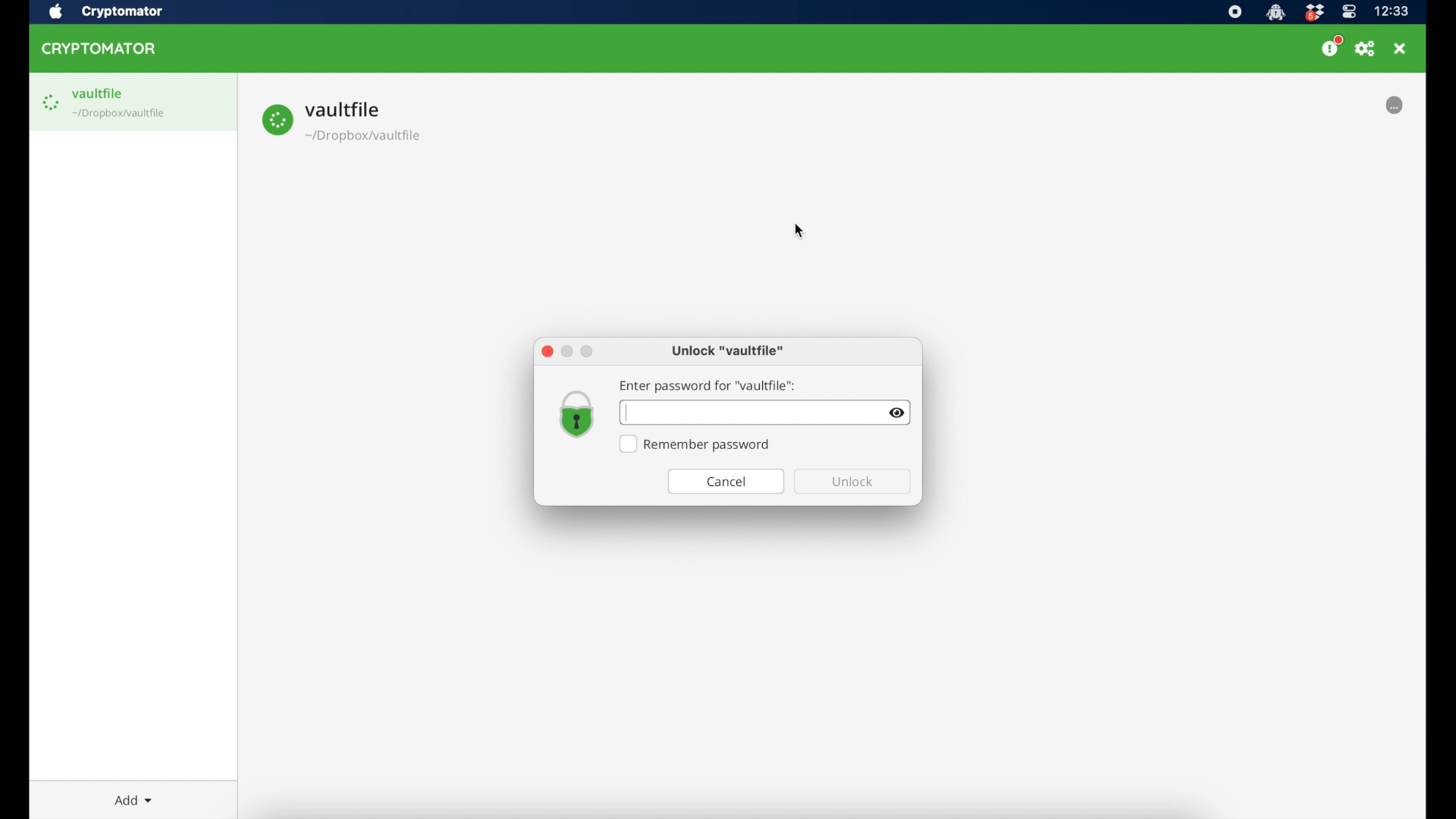  What do you see at coordinates (1314, 11) in the screenshot?
I see `dropbox icon` at bounding box center [1314, 11].